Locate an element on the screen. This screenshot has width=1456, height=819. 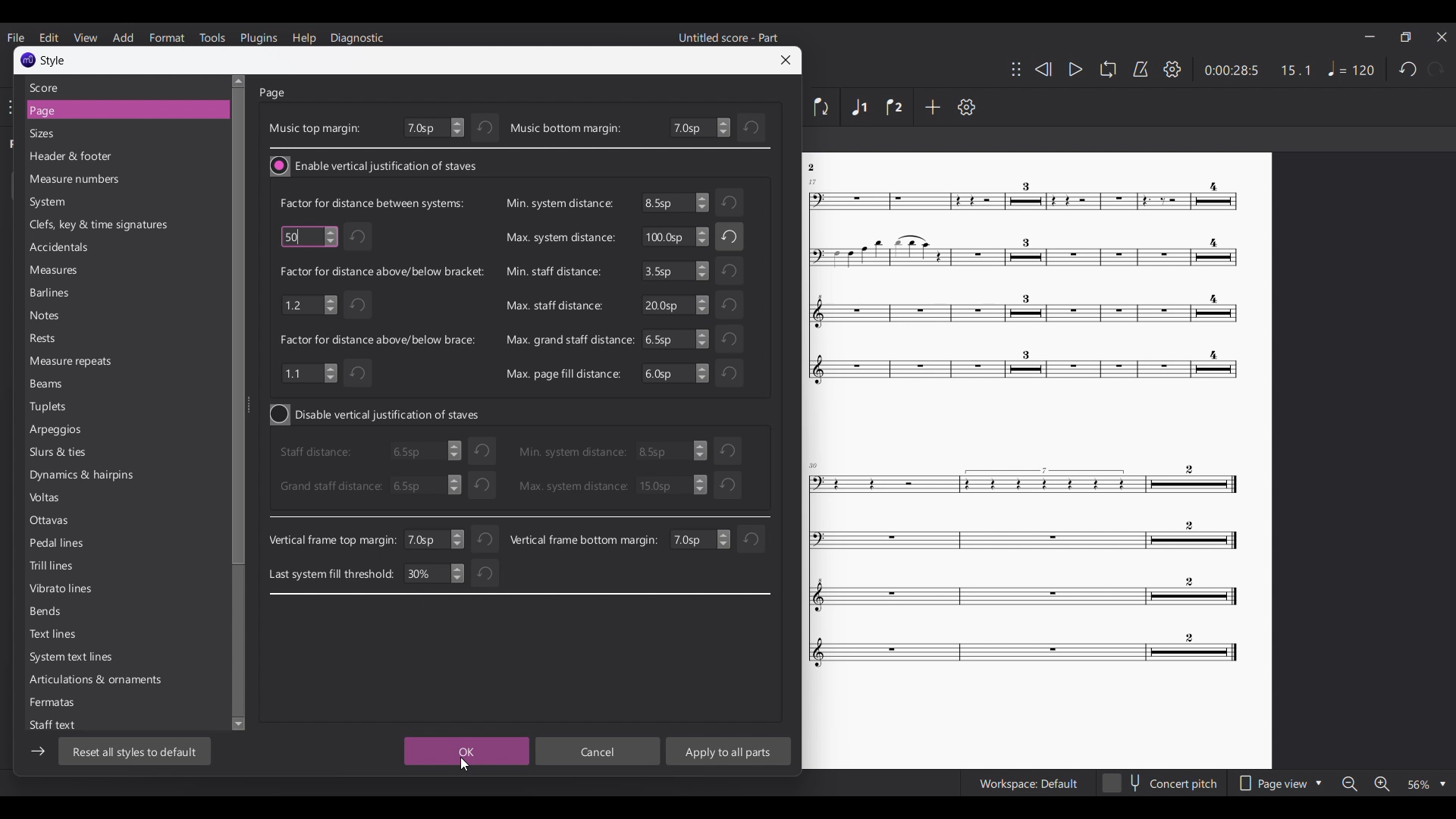
Voice 2 is located at coordinates (895, 107).